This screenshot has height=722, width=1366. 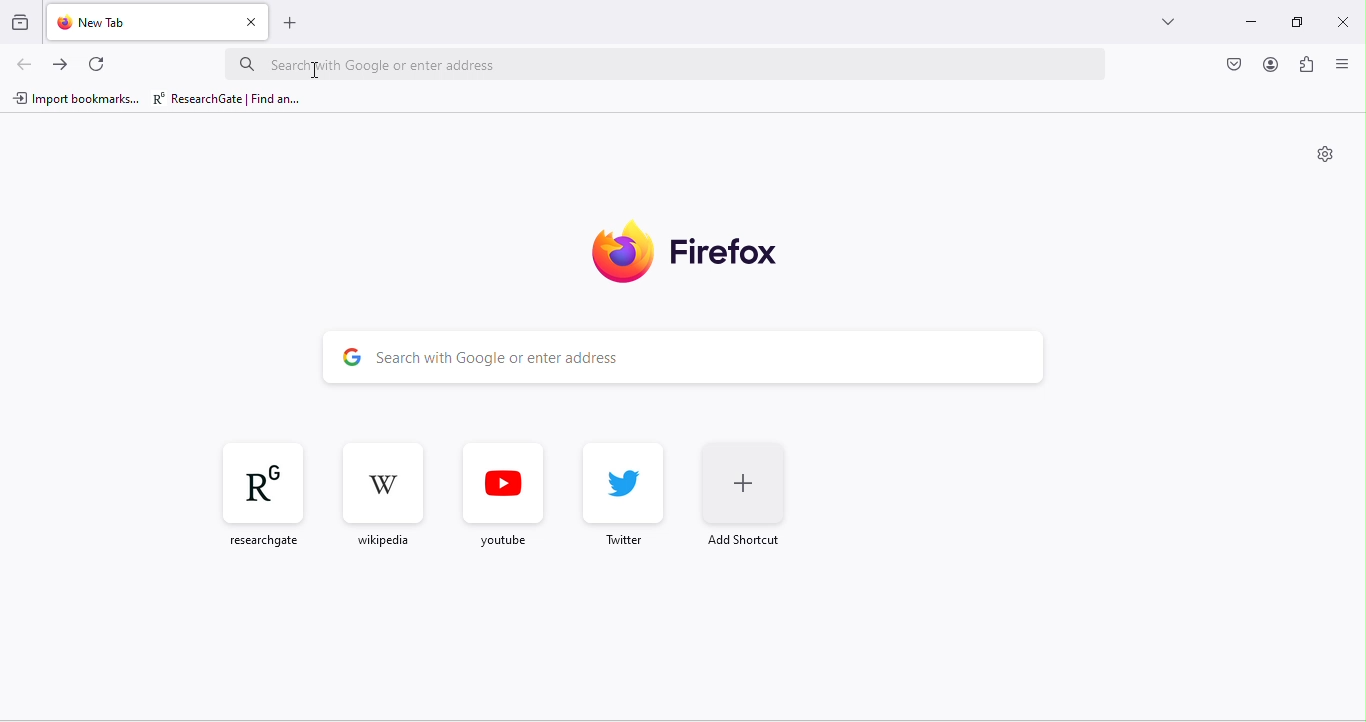 I want to click on import bookmarks, so click(x=76, y=99).